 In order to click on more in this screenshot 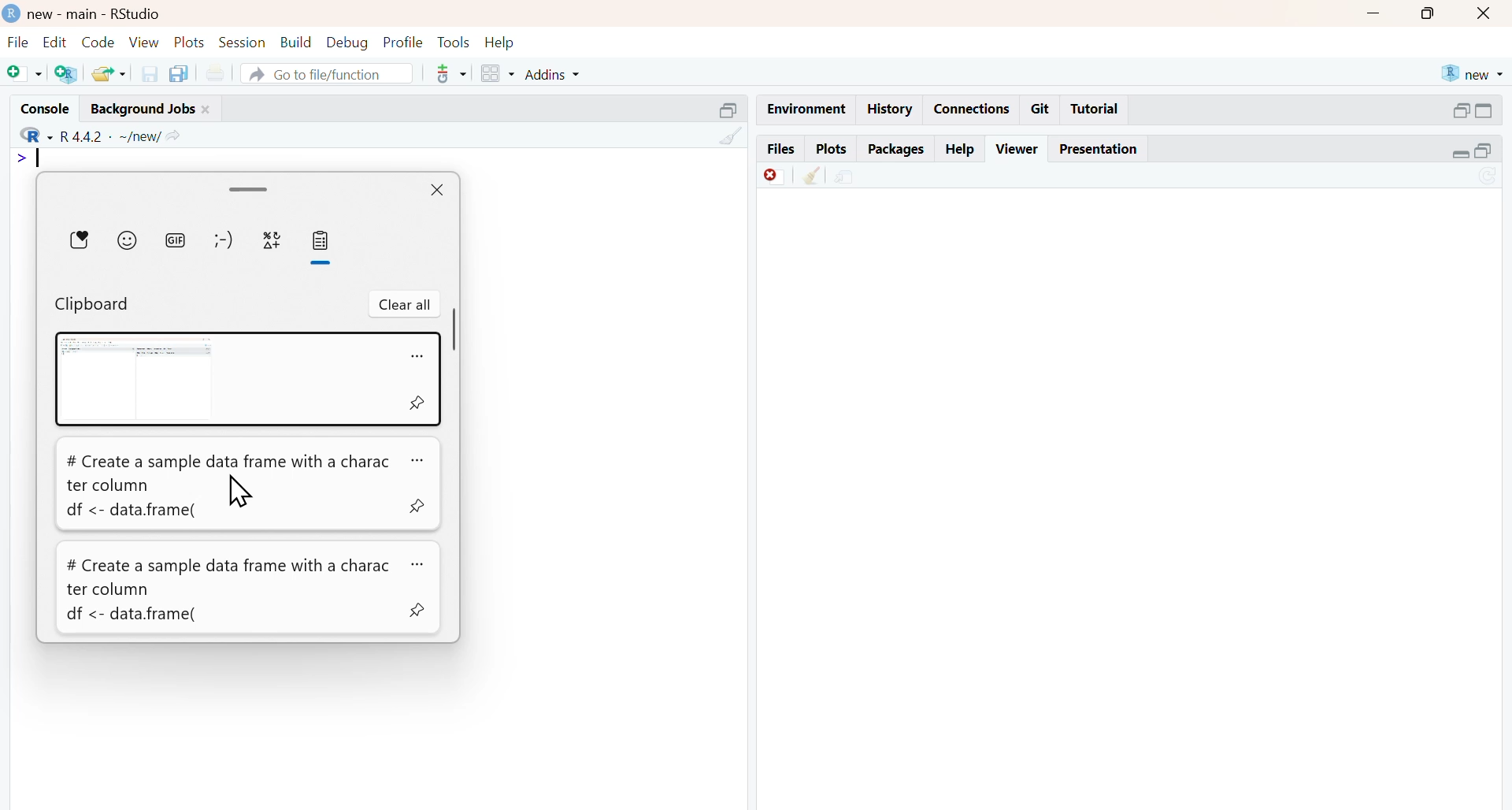, I will do `click(416, 565)`.